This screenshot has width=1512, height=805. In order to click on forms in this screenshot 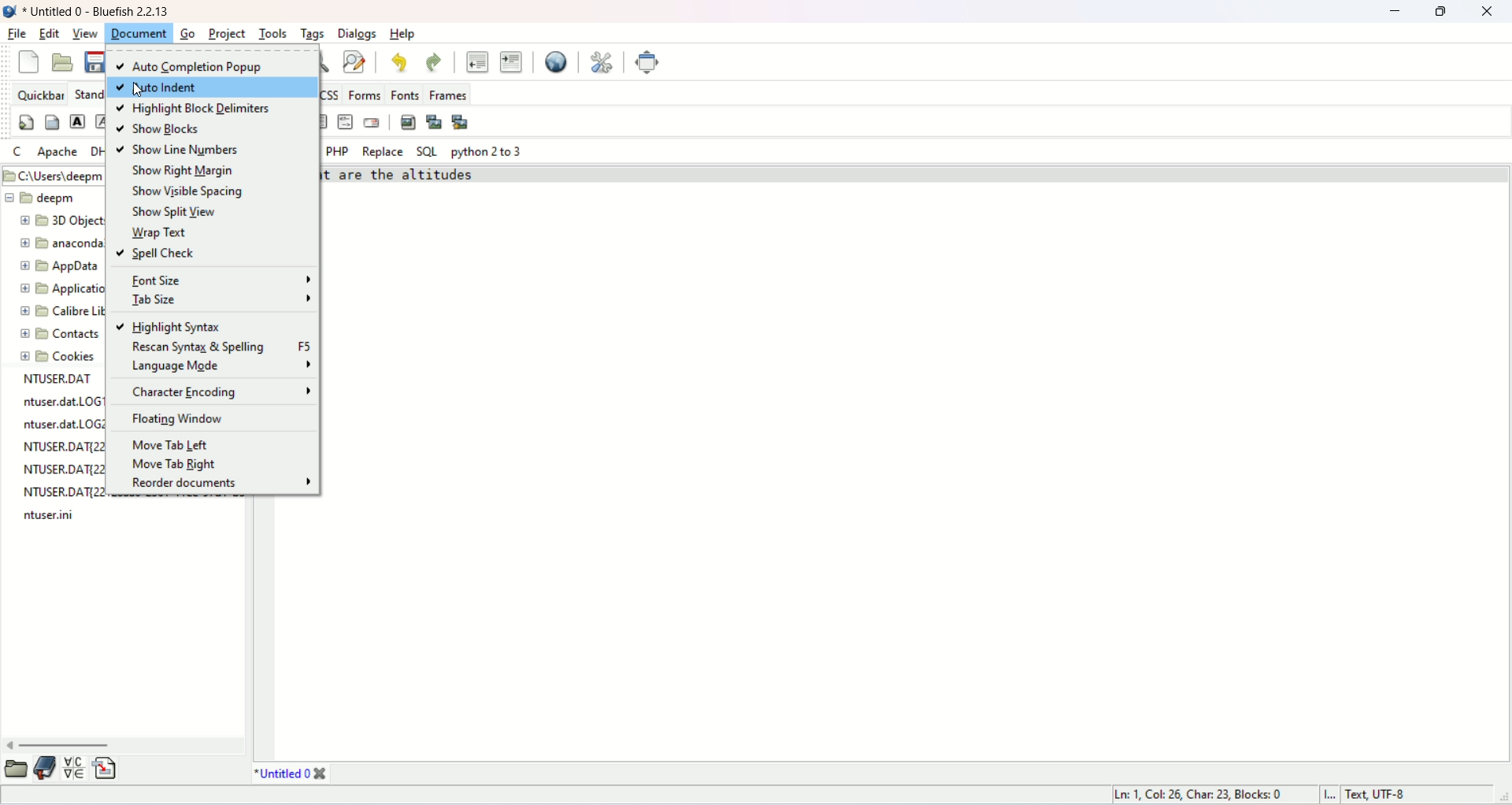, I will do `click(365, 95)`.